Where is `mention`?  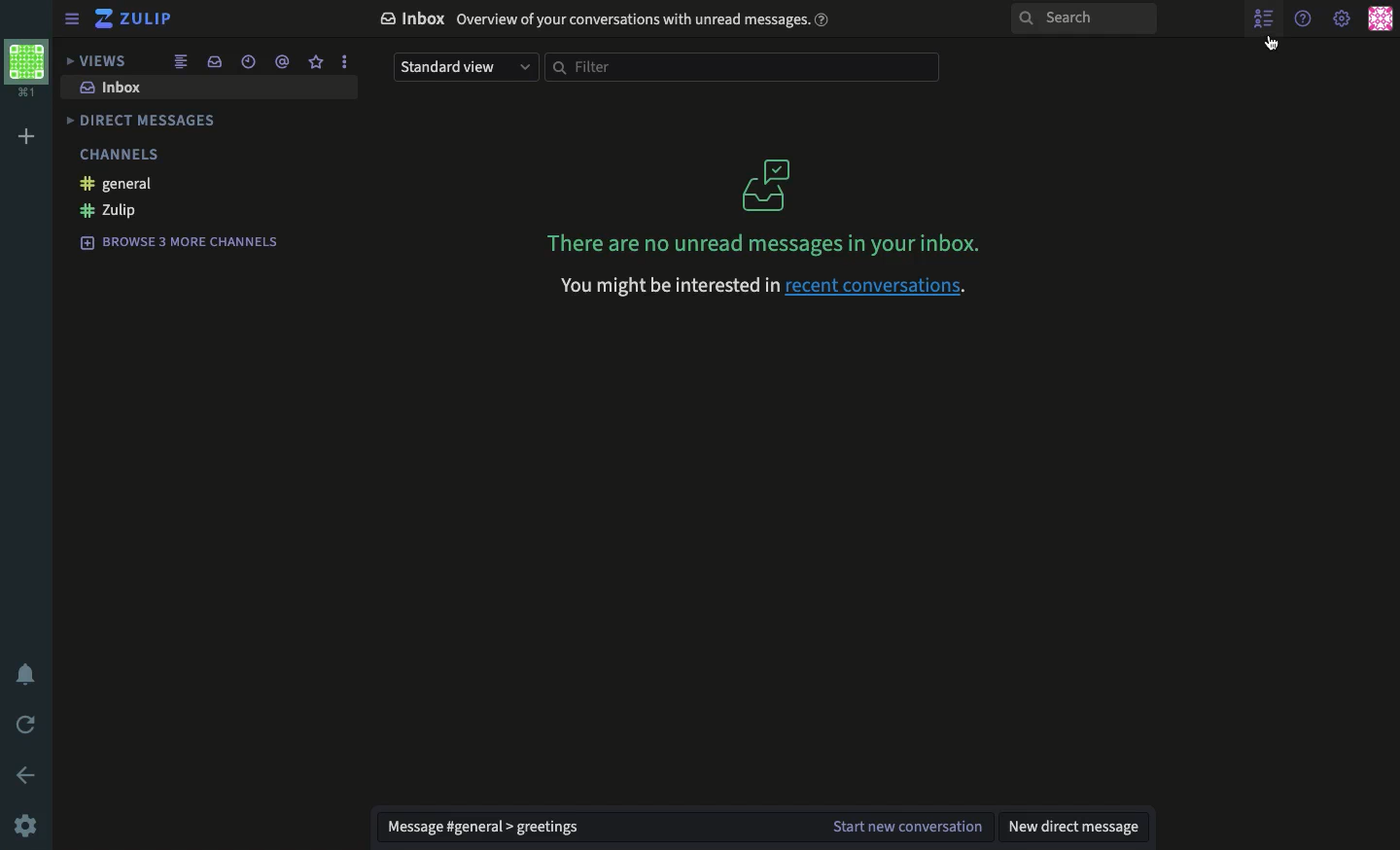
mention is located at coordinates (280, 61).